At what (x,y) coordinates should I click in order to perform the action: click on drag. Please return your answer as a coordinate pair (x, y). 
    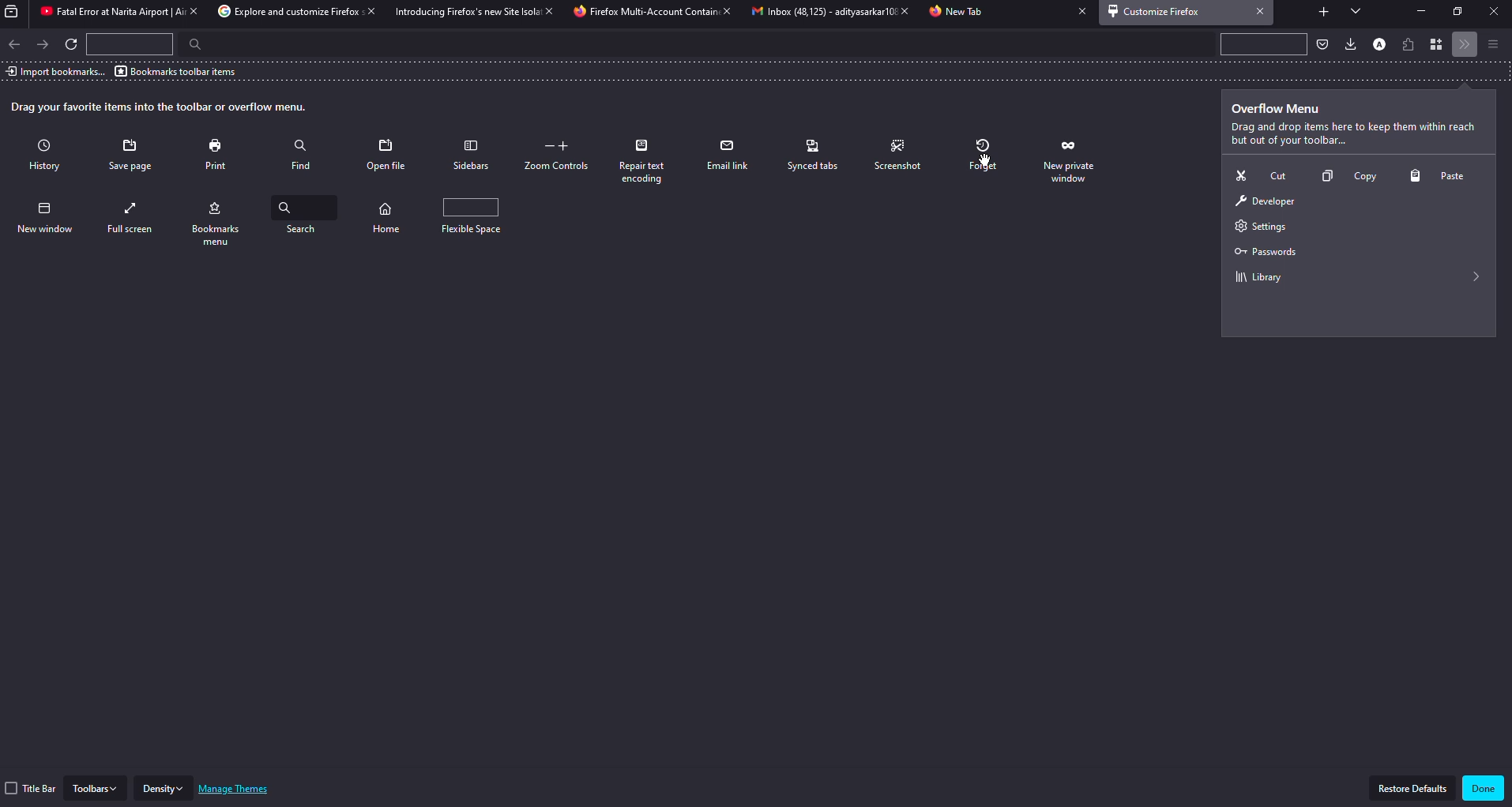
    Looking at the image, I should click on (161, 107).